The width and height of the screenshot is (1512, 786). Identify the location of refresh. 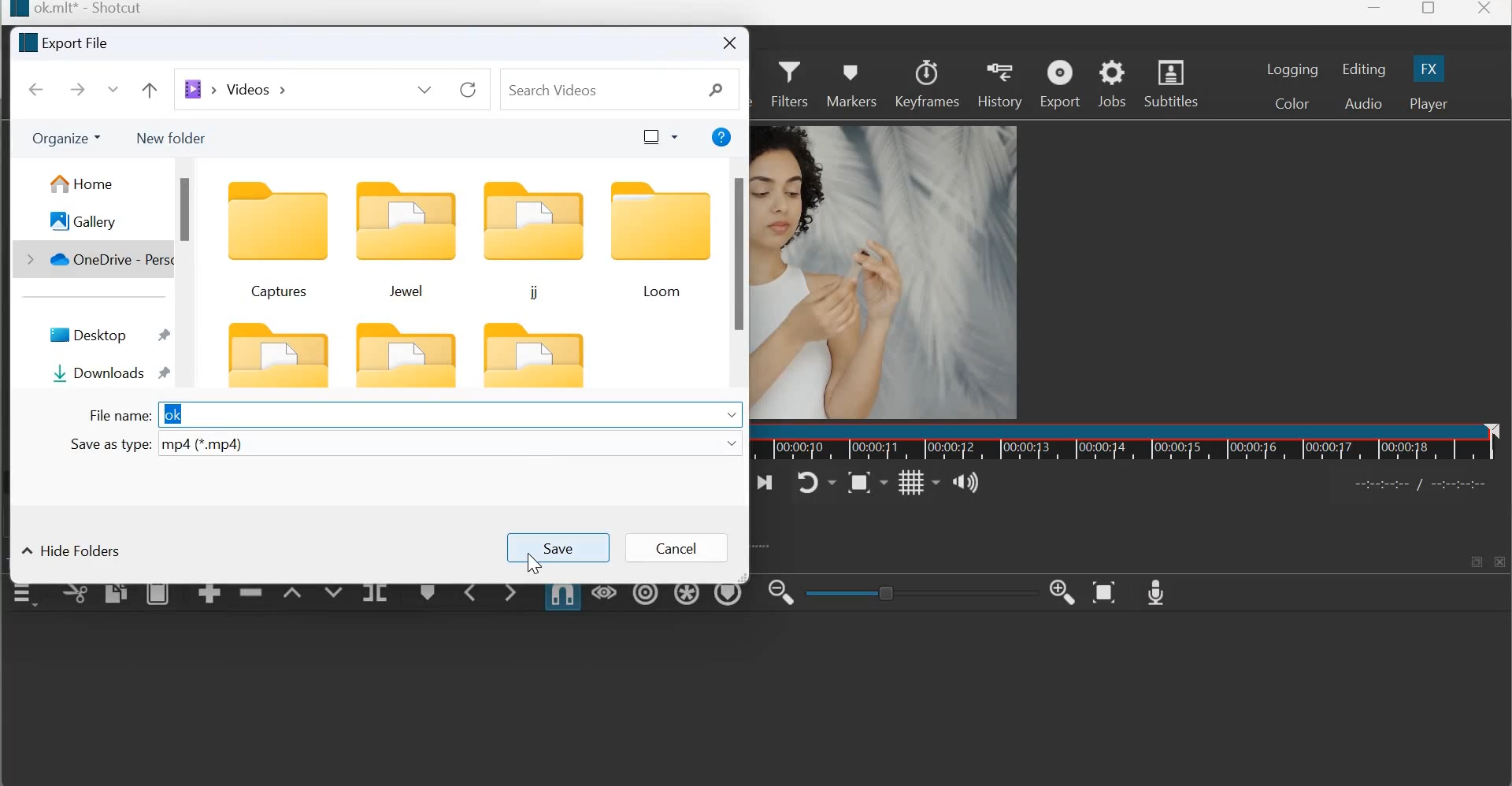
(466, 91).